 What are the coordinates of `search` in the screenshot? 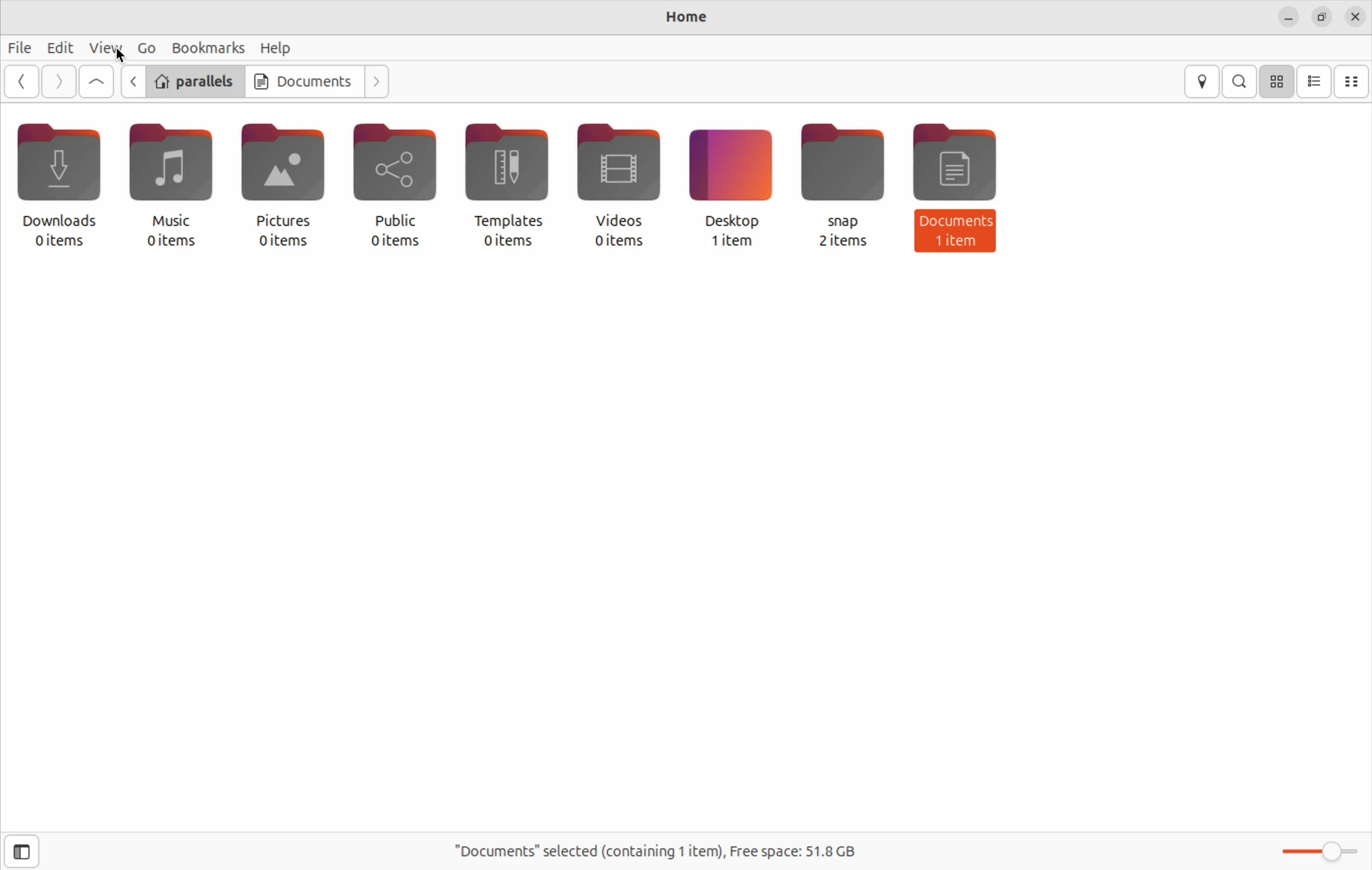 It's located at (1241, 81).